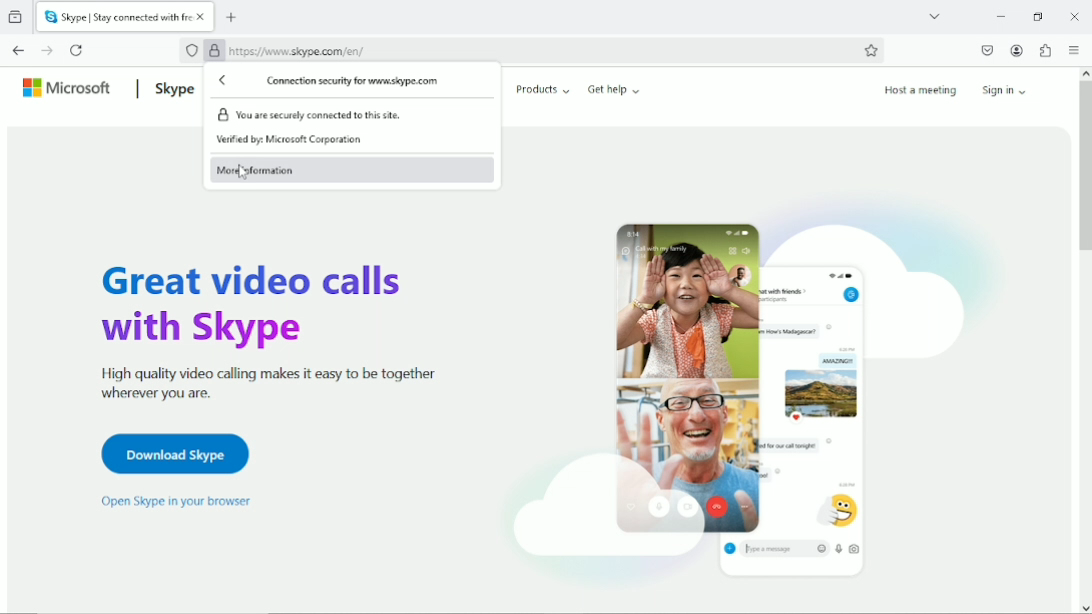 This screenshot has width=1092, height=614. Describe the element at coordinates (77, 49) in the screenshot. I see `Reload current page` at that location.